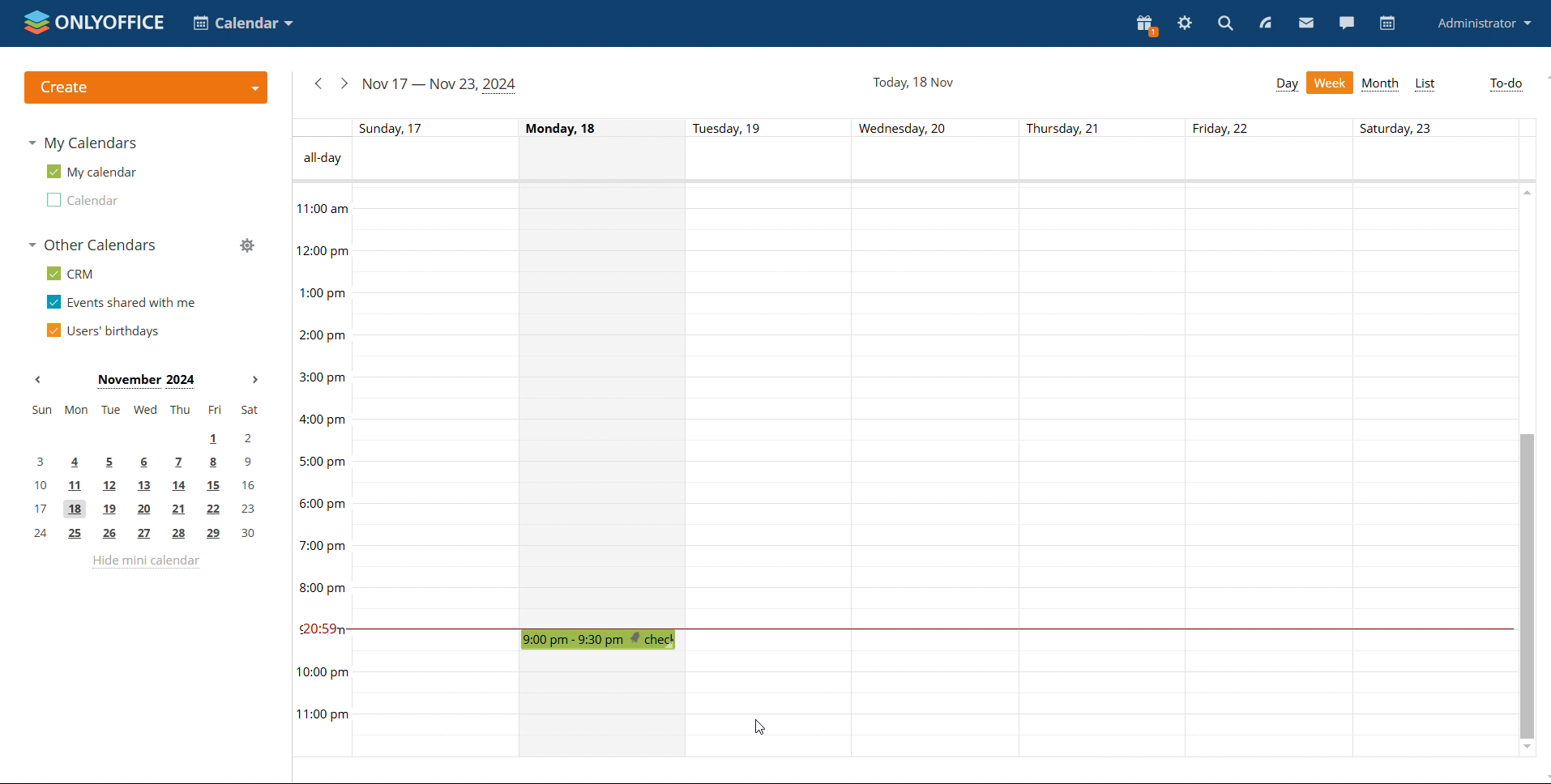 The height and width of the screenshot is (784, 1551). I want to click on search, so click(1226, 23).